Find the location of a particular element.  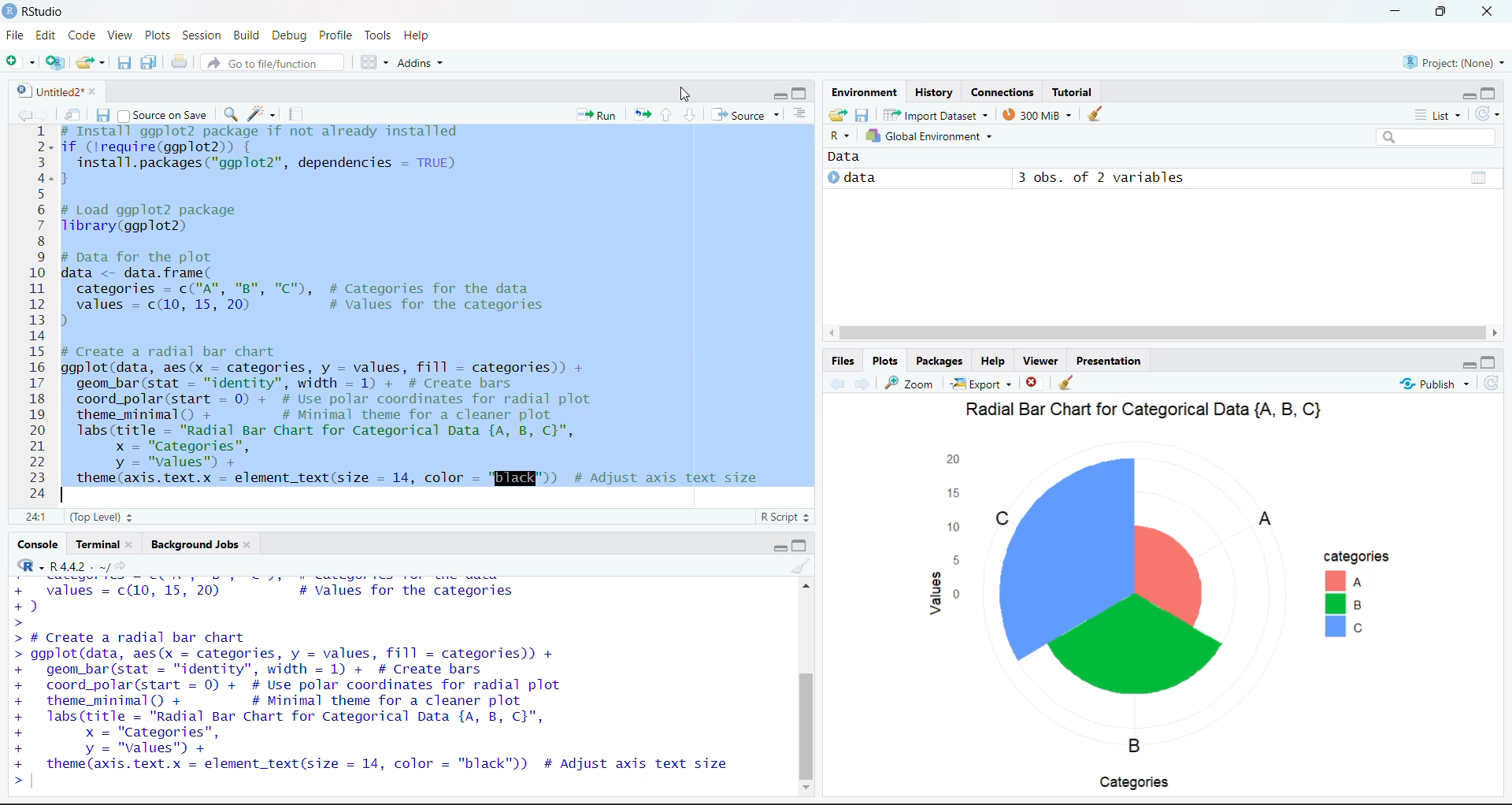

value of matrix is located at coordinates (1480, 180).